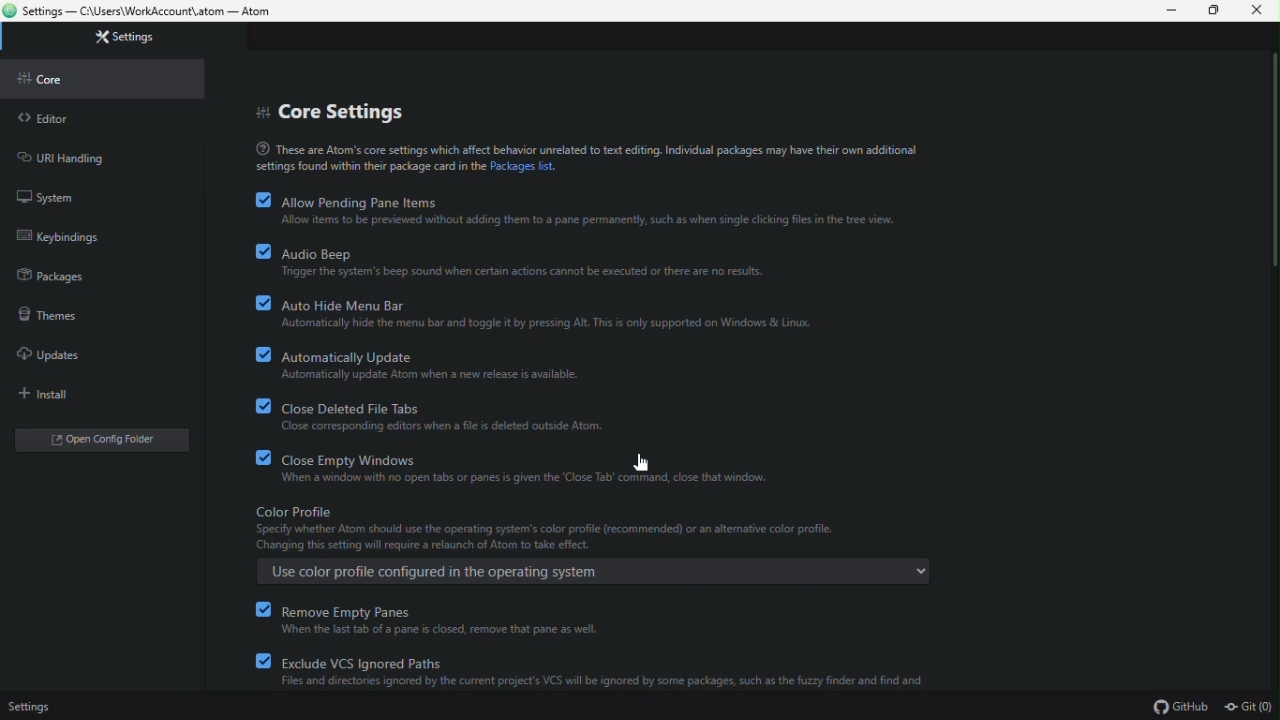 The height and width of the screenshot is (720, 1280). I want to click on Cursor, so click(644, 463).